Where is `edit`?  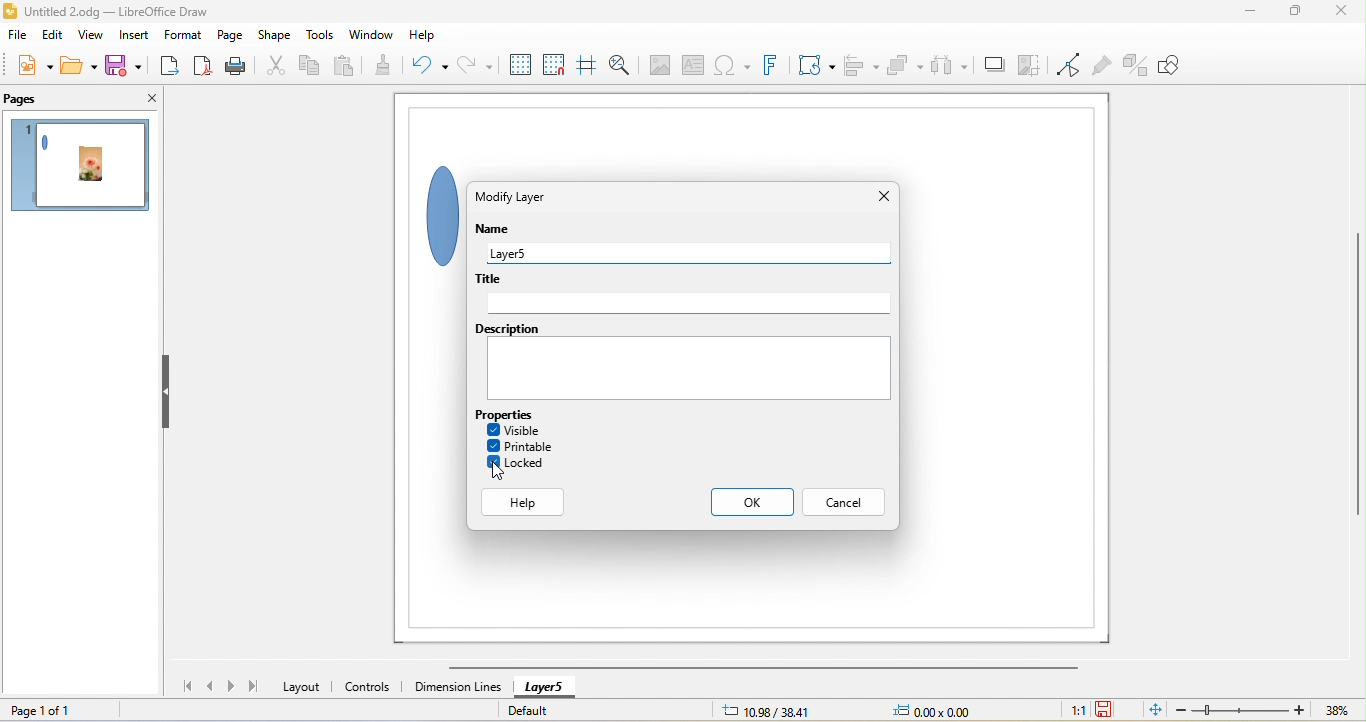
edit is located at coordinates (51, 39).